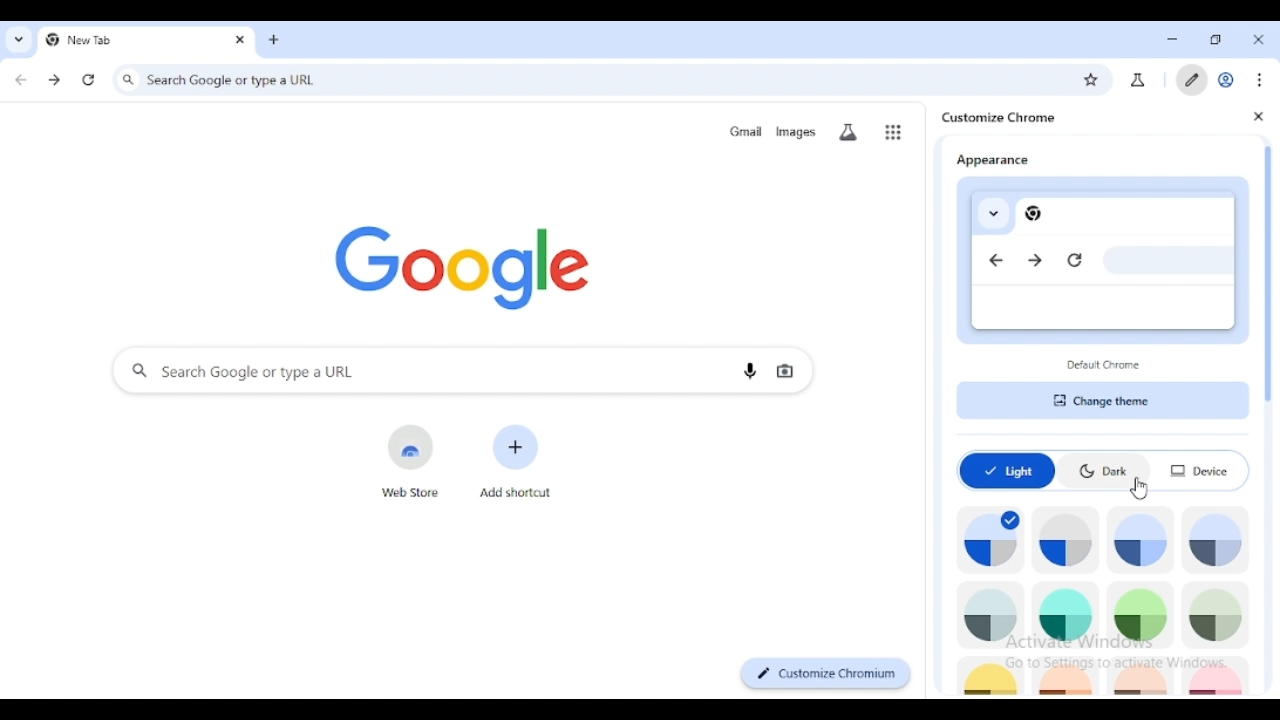 The height and width of the screenshot is (720, 1280). Describe the element at coordinates (1259, 39) in the screenshot. I see `close tab` at that location.